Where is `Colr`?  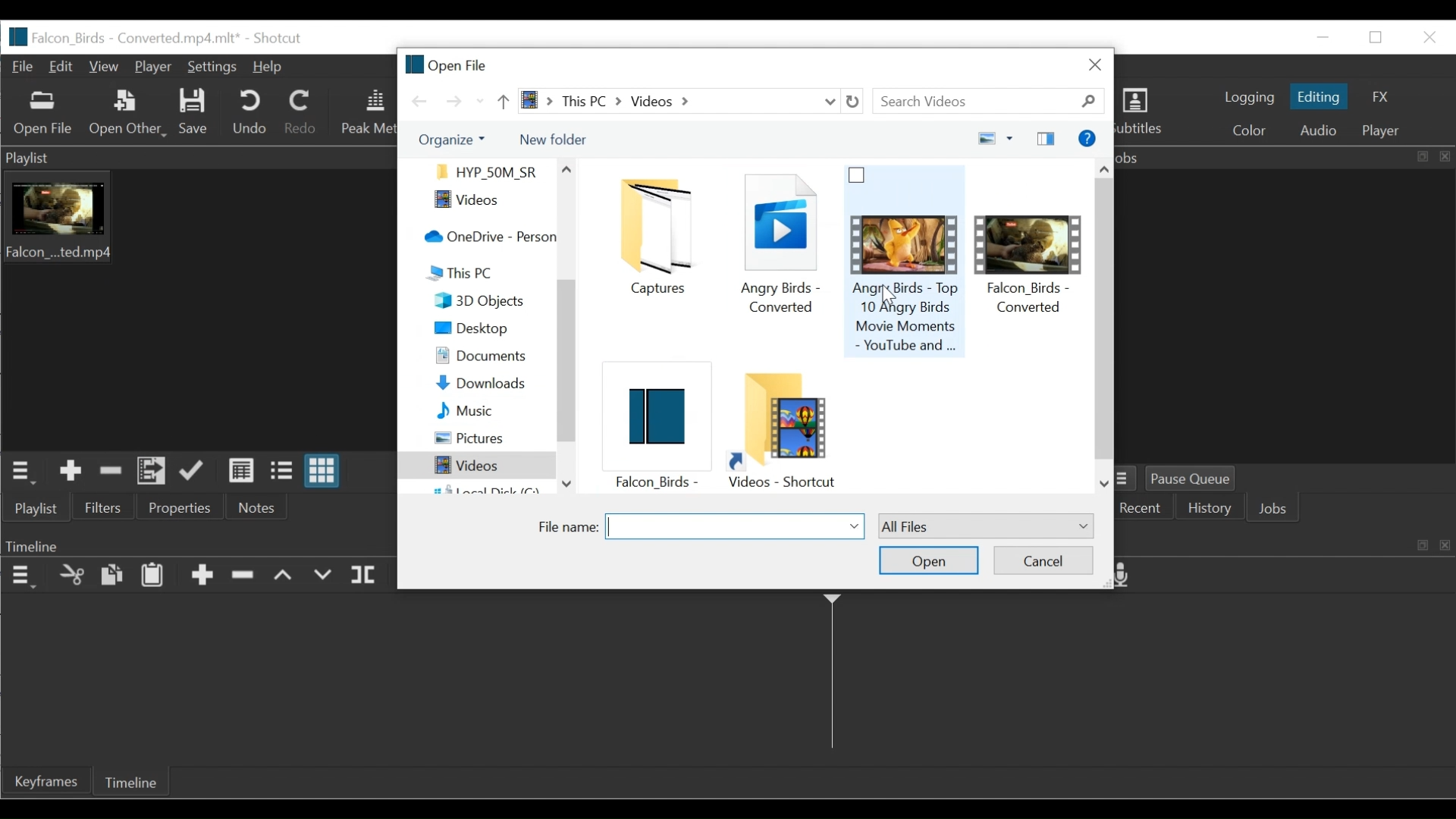 Colr is located at coordinates (1250, 129).